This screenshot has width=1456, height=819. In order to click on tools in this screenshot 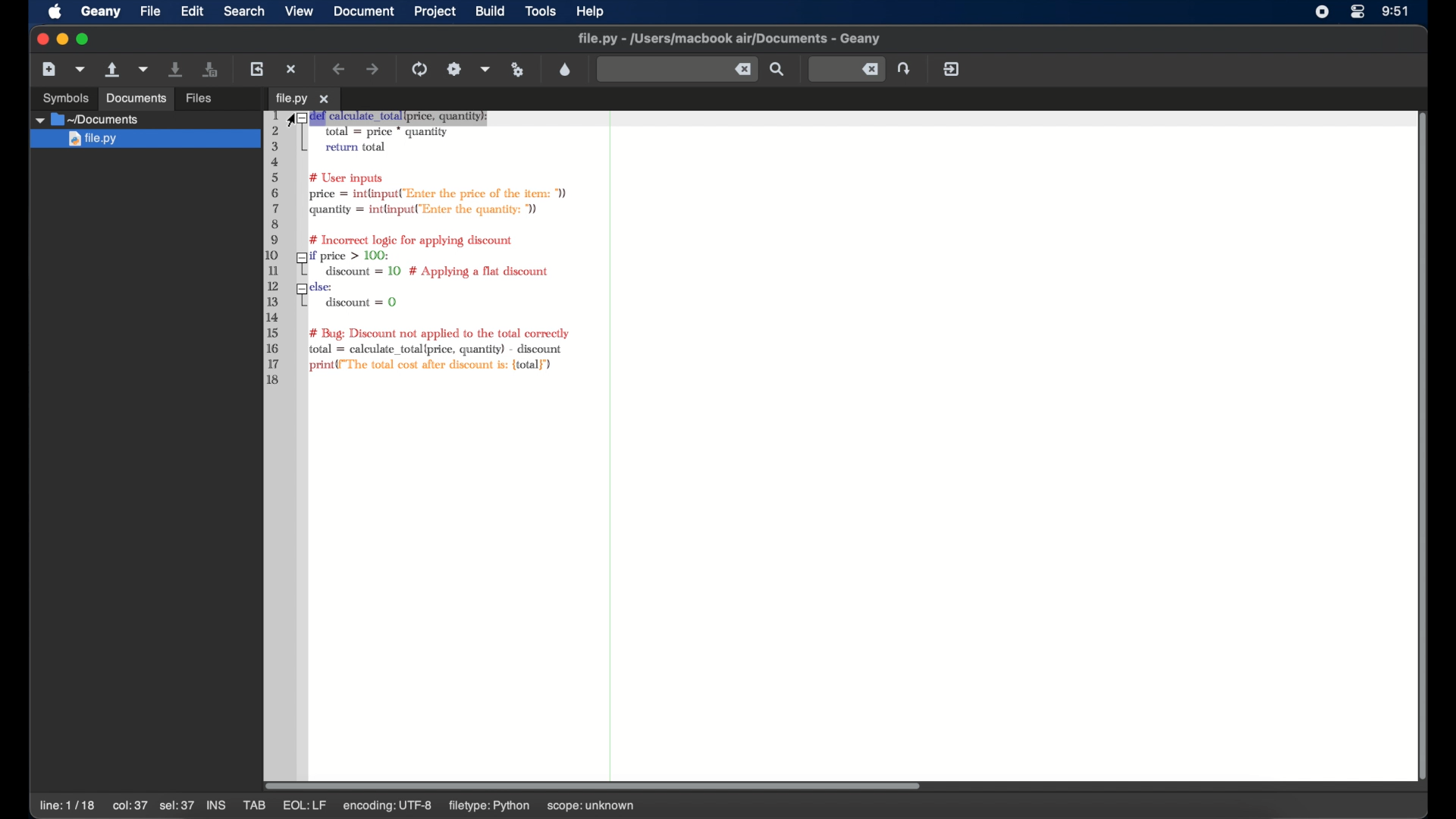, I will do `click(541, 11)`.